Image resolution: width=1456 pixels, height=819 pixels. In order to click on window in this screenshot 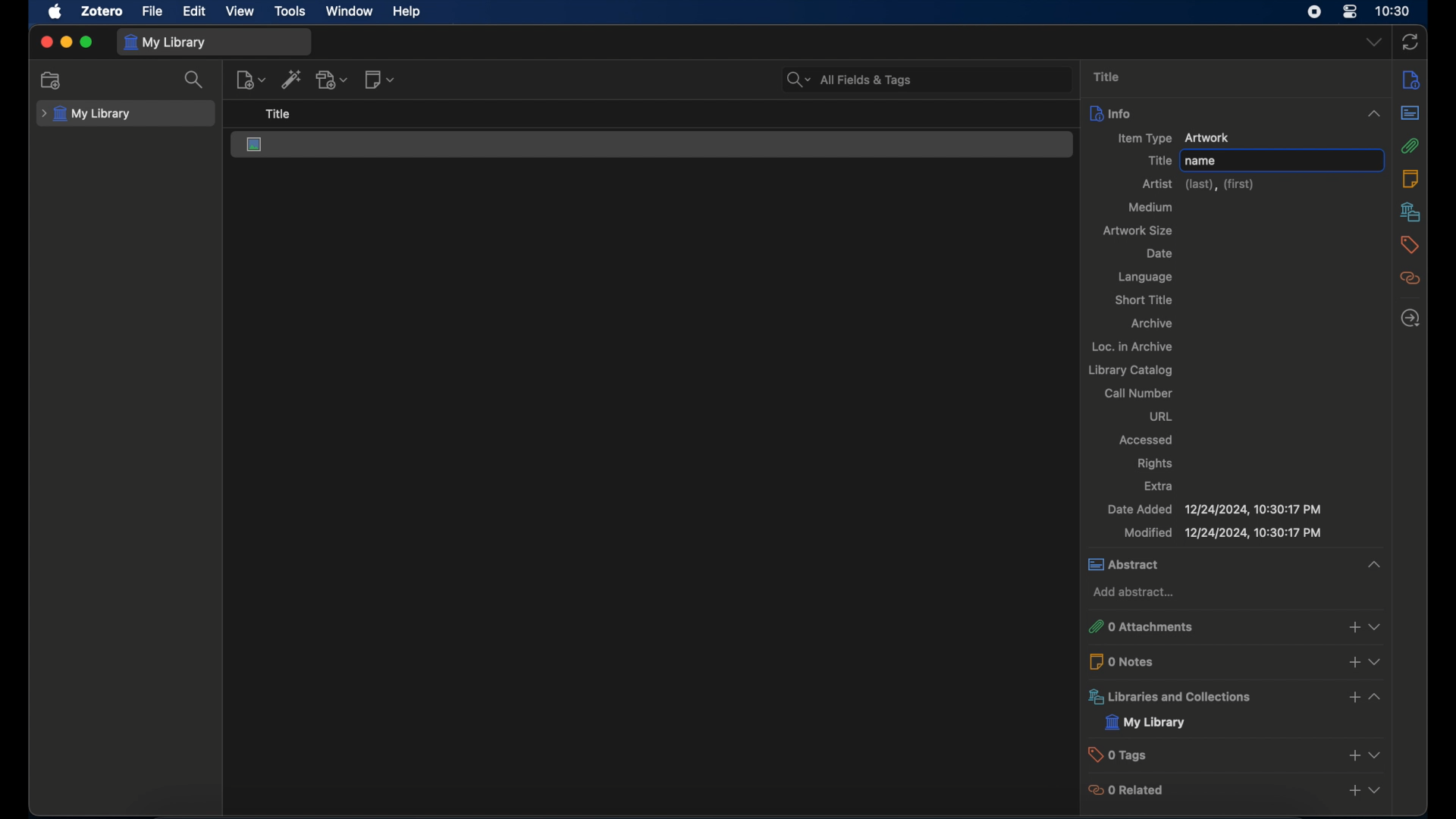, I will do `click(350, 11)`.